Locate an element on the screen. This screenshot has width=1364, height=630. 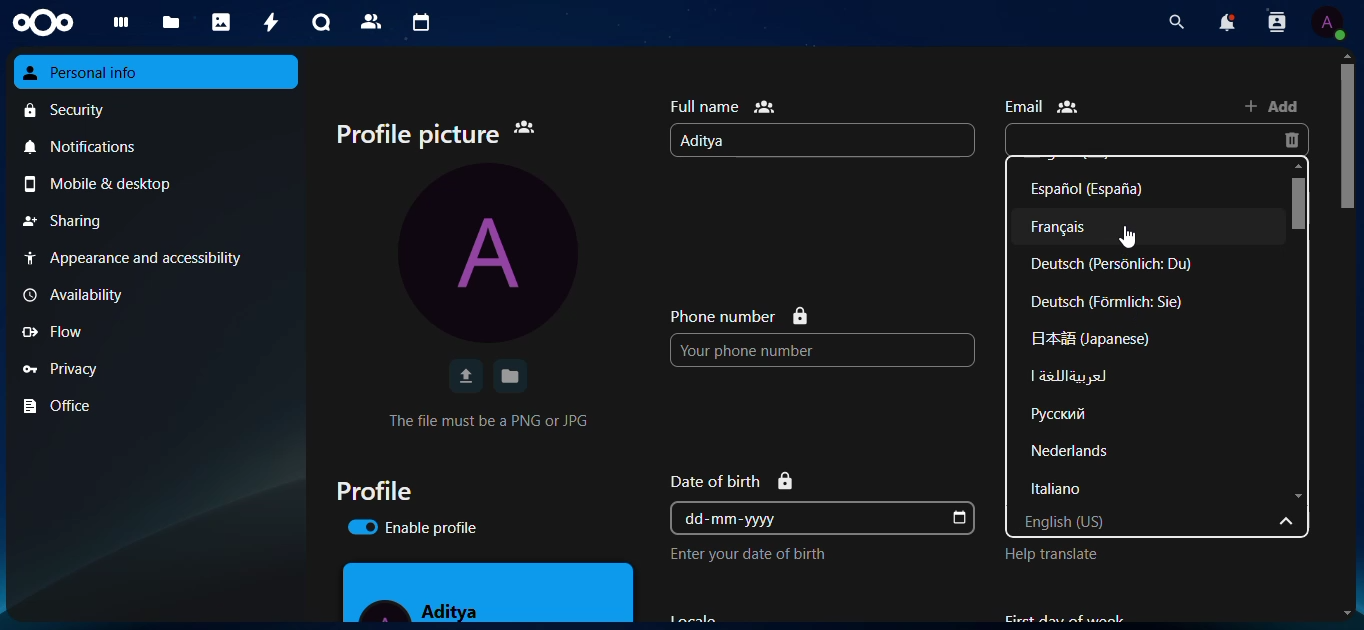
ddmmyyyy is located at coordinates (740, 518).